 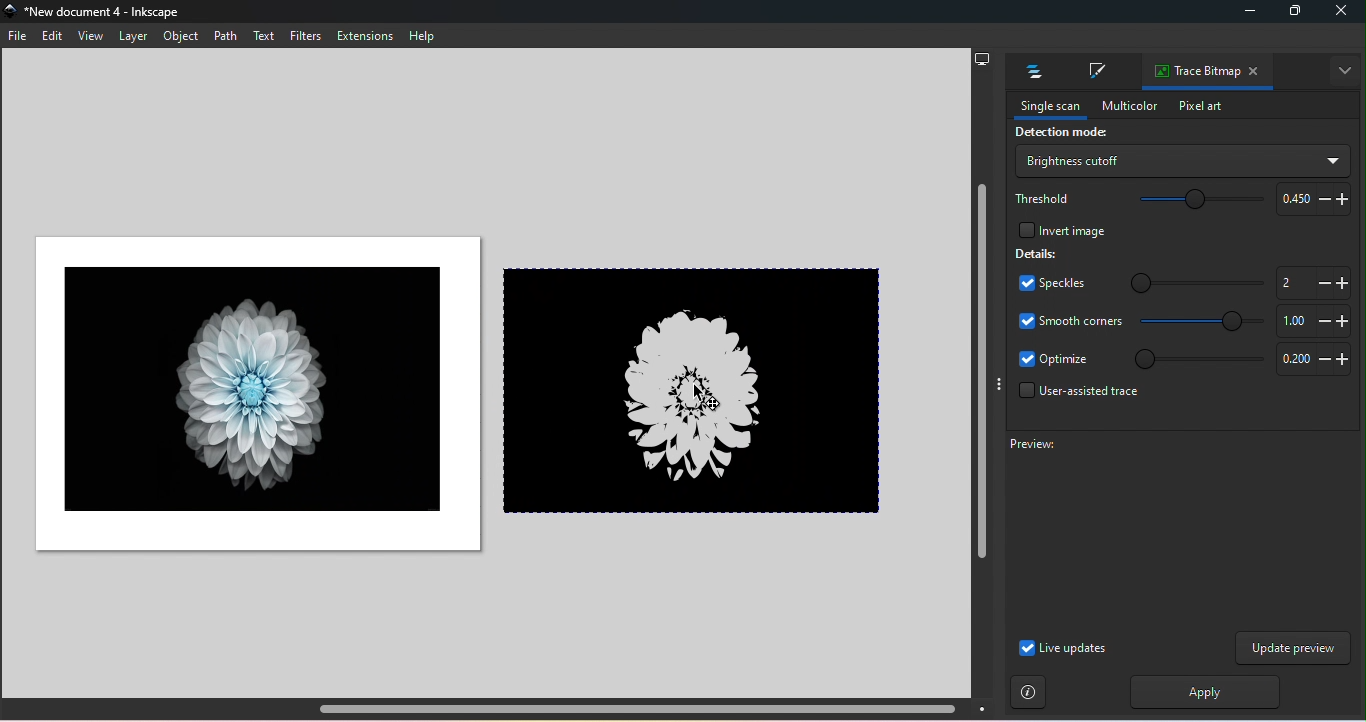 What do you see at coordinates (132, 36) in the screenshot?
I see `Layer` at bounding box center [132, 36].